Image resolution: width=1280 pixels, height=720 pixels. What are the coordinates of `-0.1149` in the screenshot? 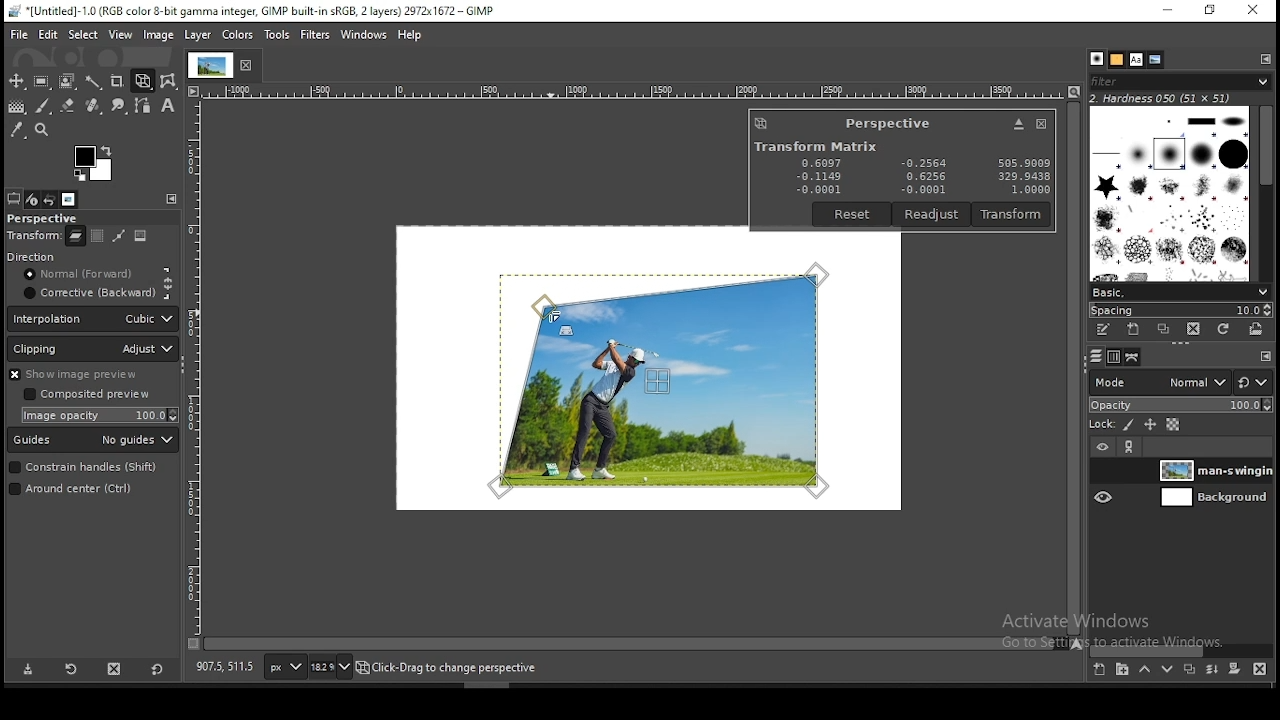 It's located at (817, 176).